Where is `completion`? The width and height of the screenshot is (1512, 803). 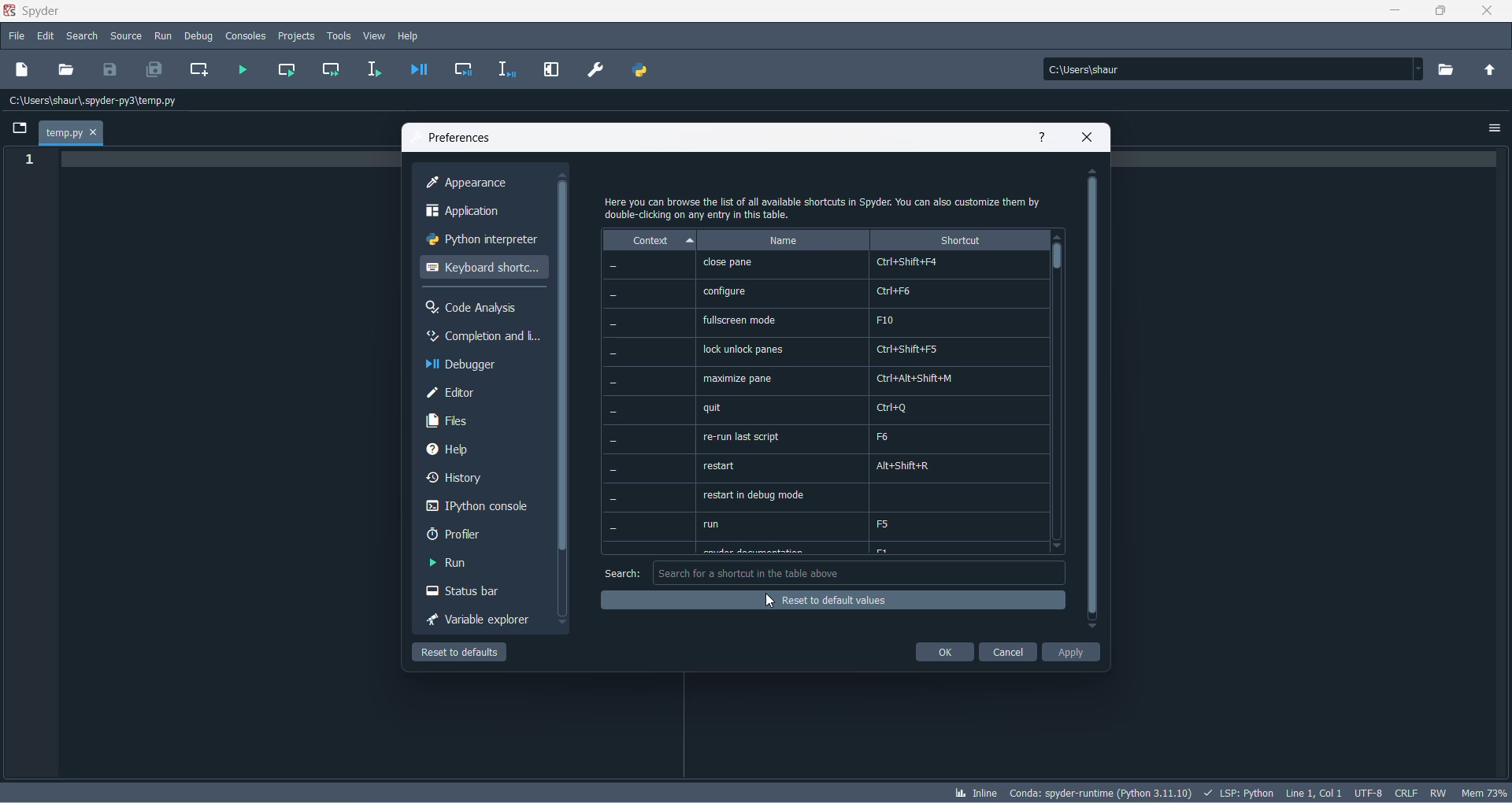 completion is located at coordinates (483, 338).